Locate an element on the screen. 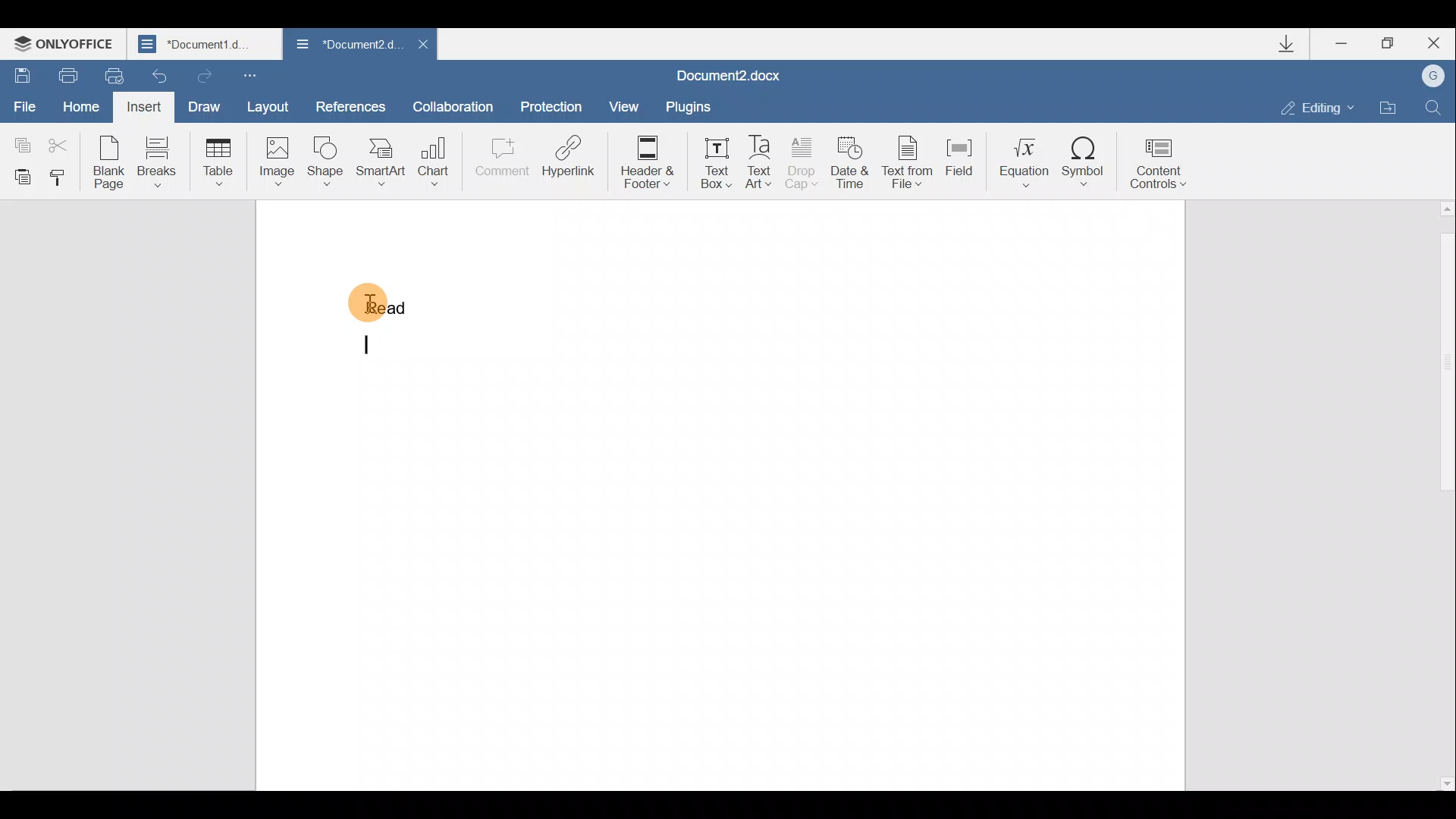  Save is located at coordinates (21, 71).